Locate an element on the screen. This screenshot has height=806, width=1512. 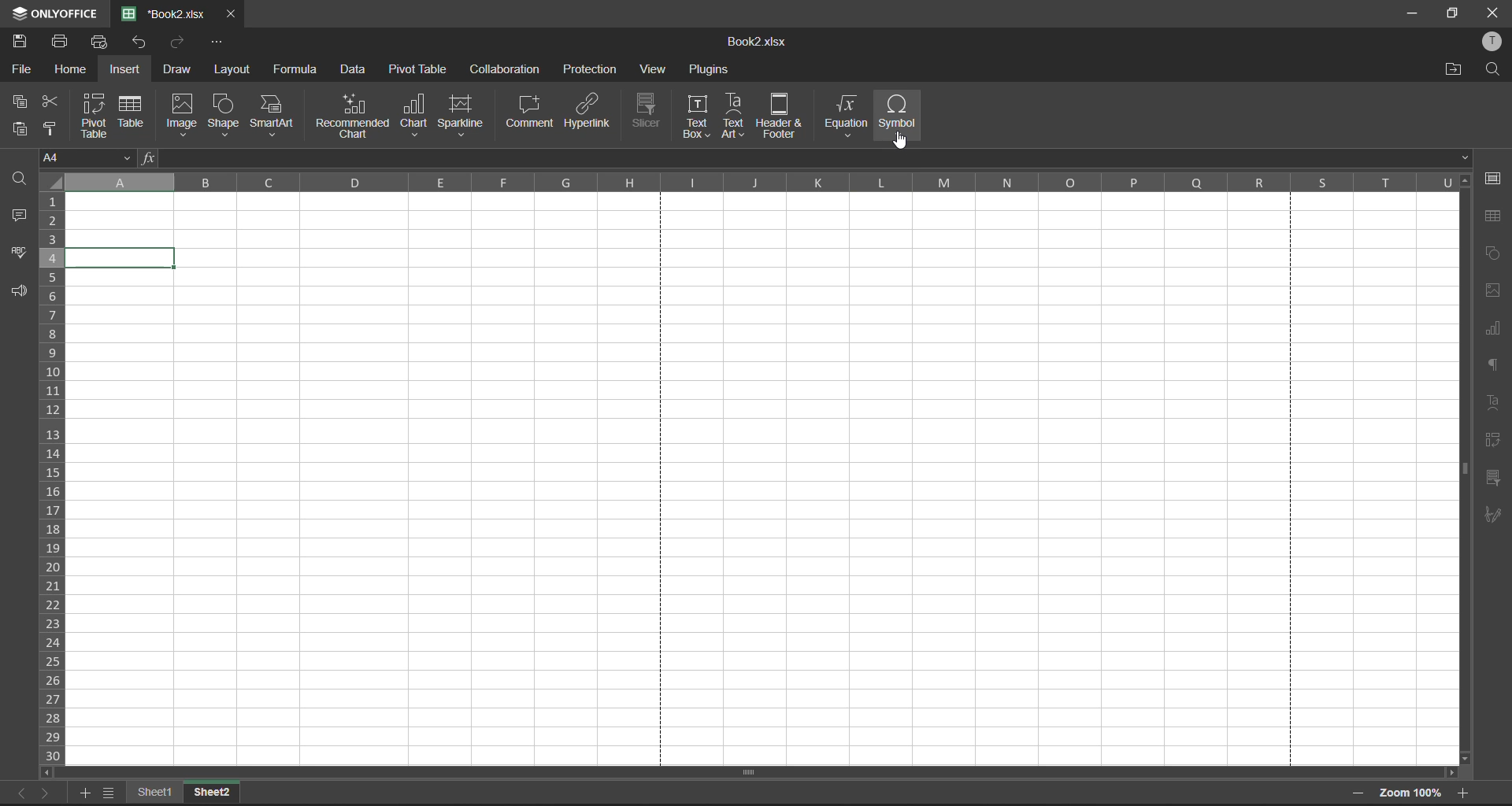
sheet list is located at coordinates (109, 794).